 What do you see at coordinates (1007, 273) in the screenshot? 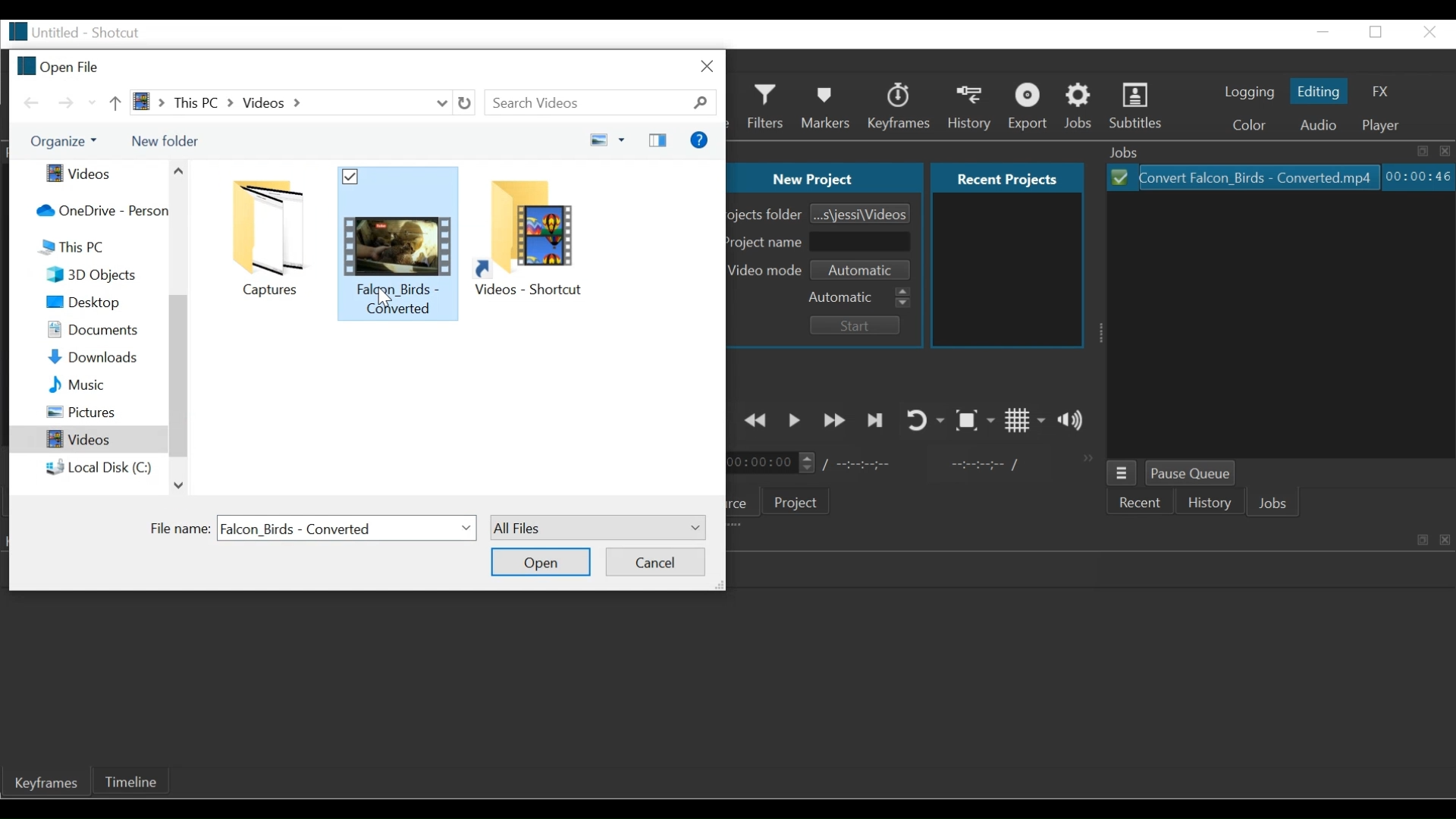
I see `Recent projects` at bounding box center [1007, 273].